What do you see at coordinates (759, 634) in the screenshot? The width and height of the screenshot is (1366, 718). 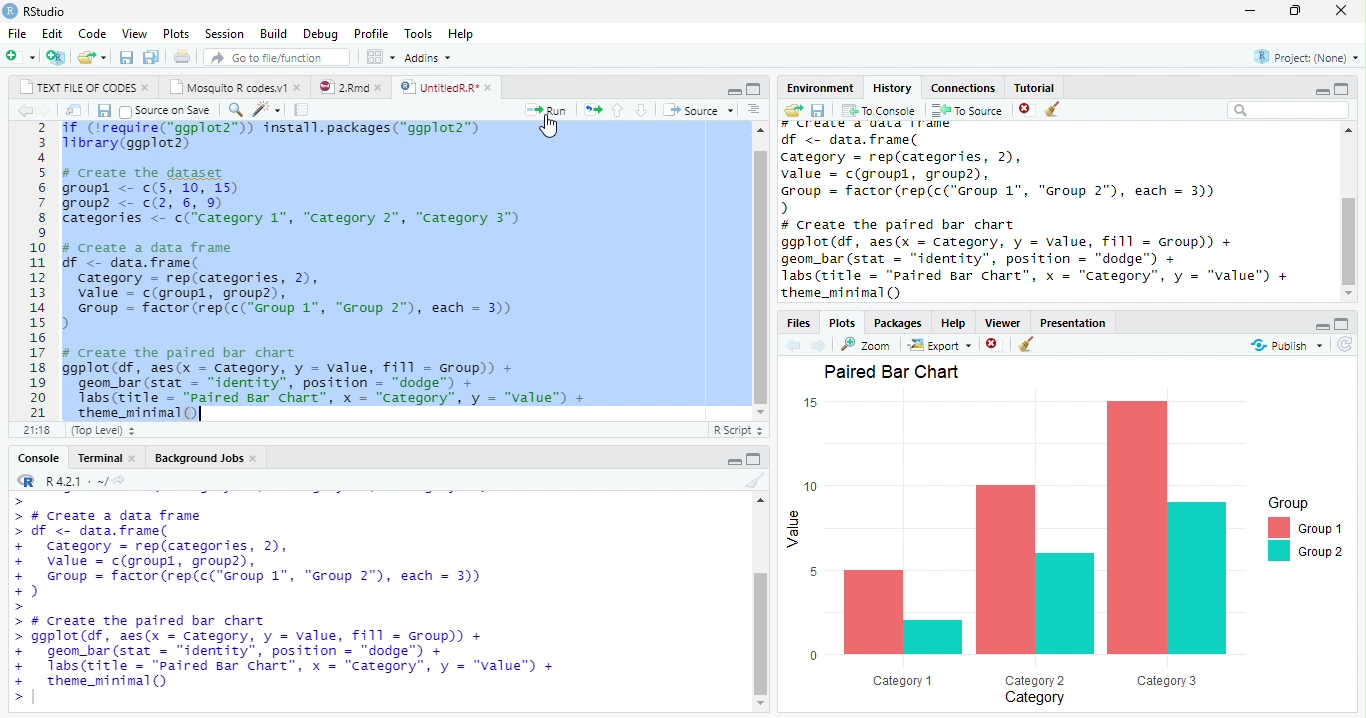 I see `scroll bar` at bounding box center [759, 634].